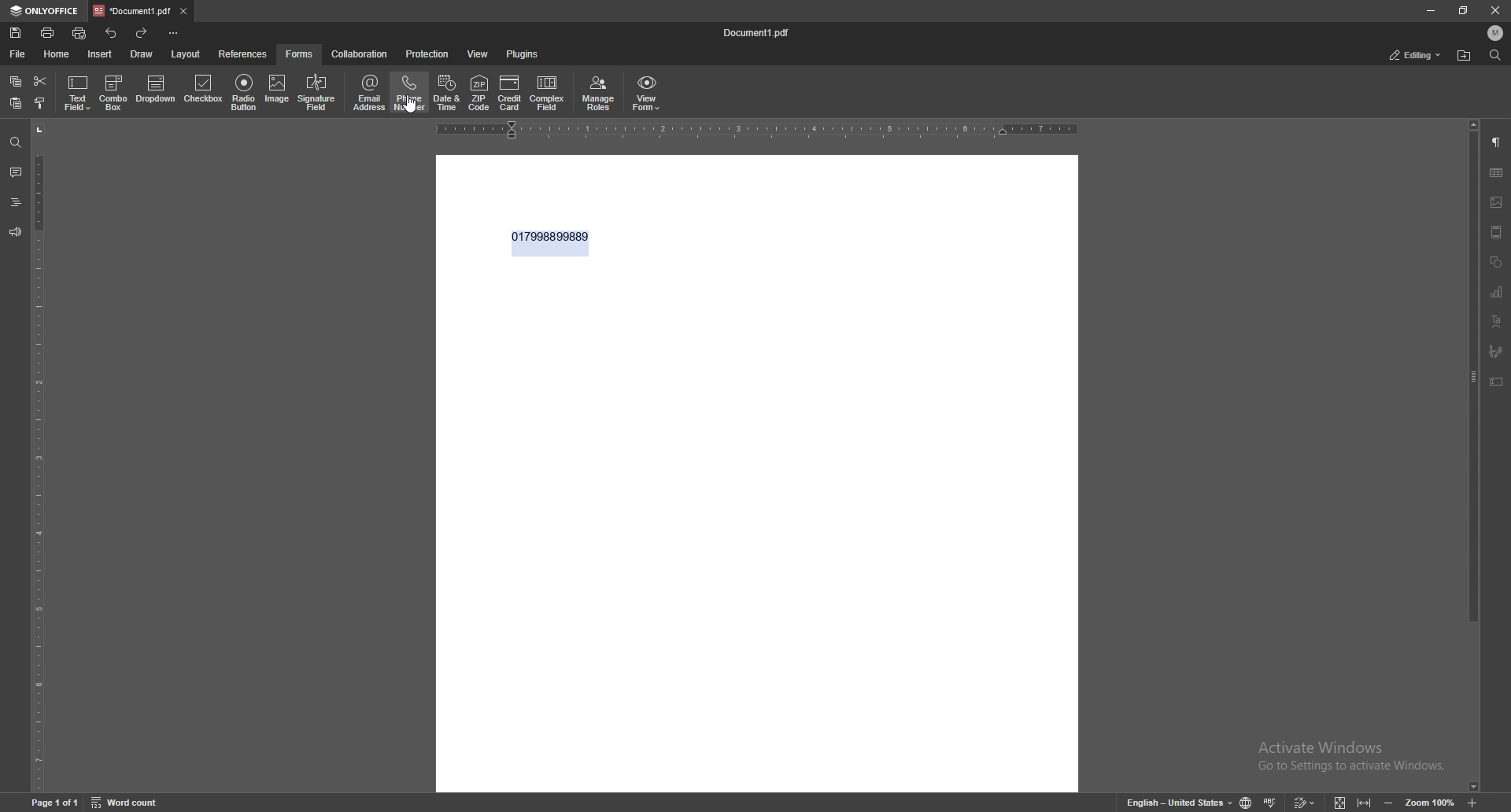  I want to click on status, so click(1416, 55).